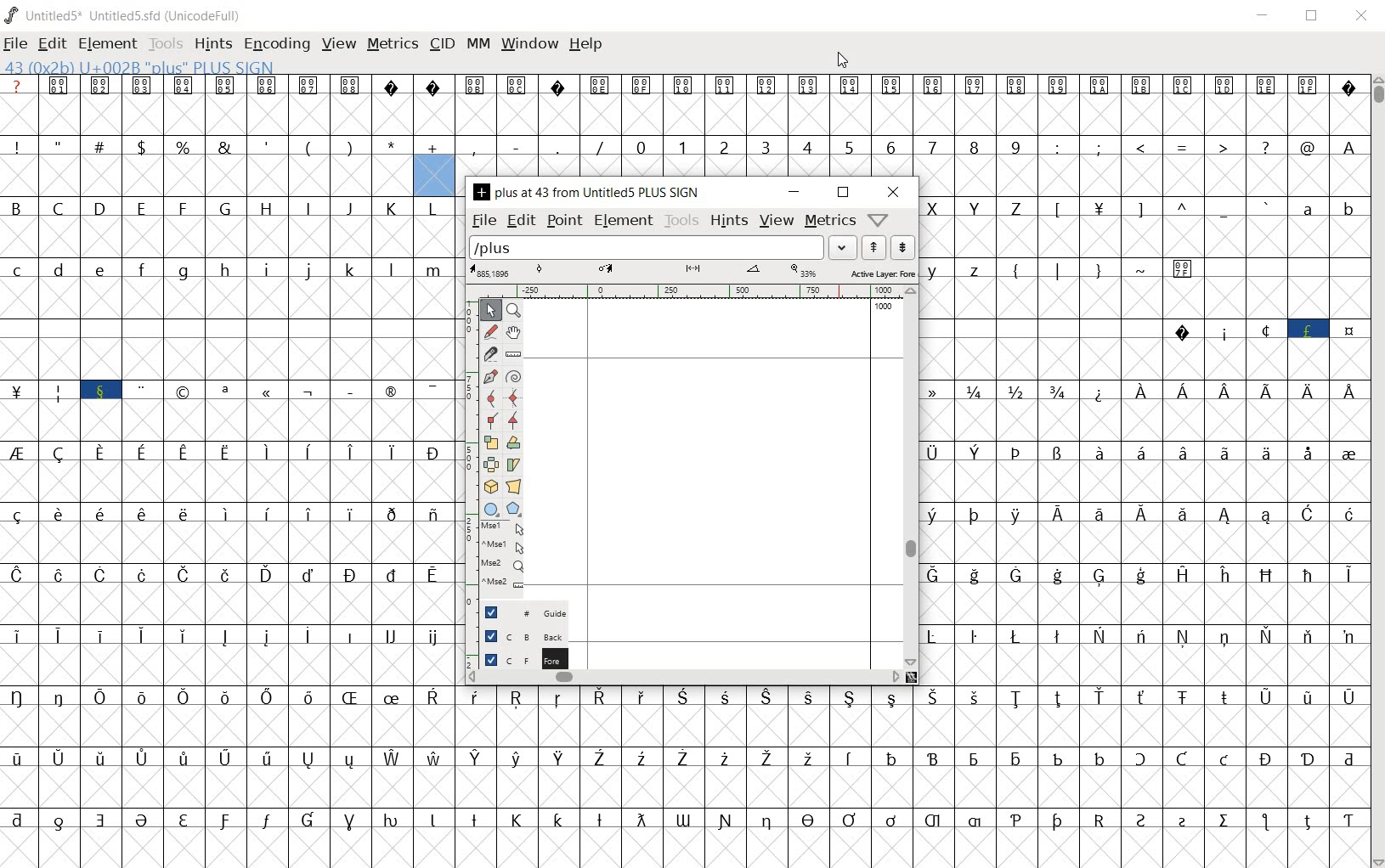 This screenshot has width=1385, height=868. I want to click on Add a corner point, so click(512, 420).